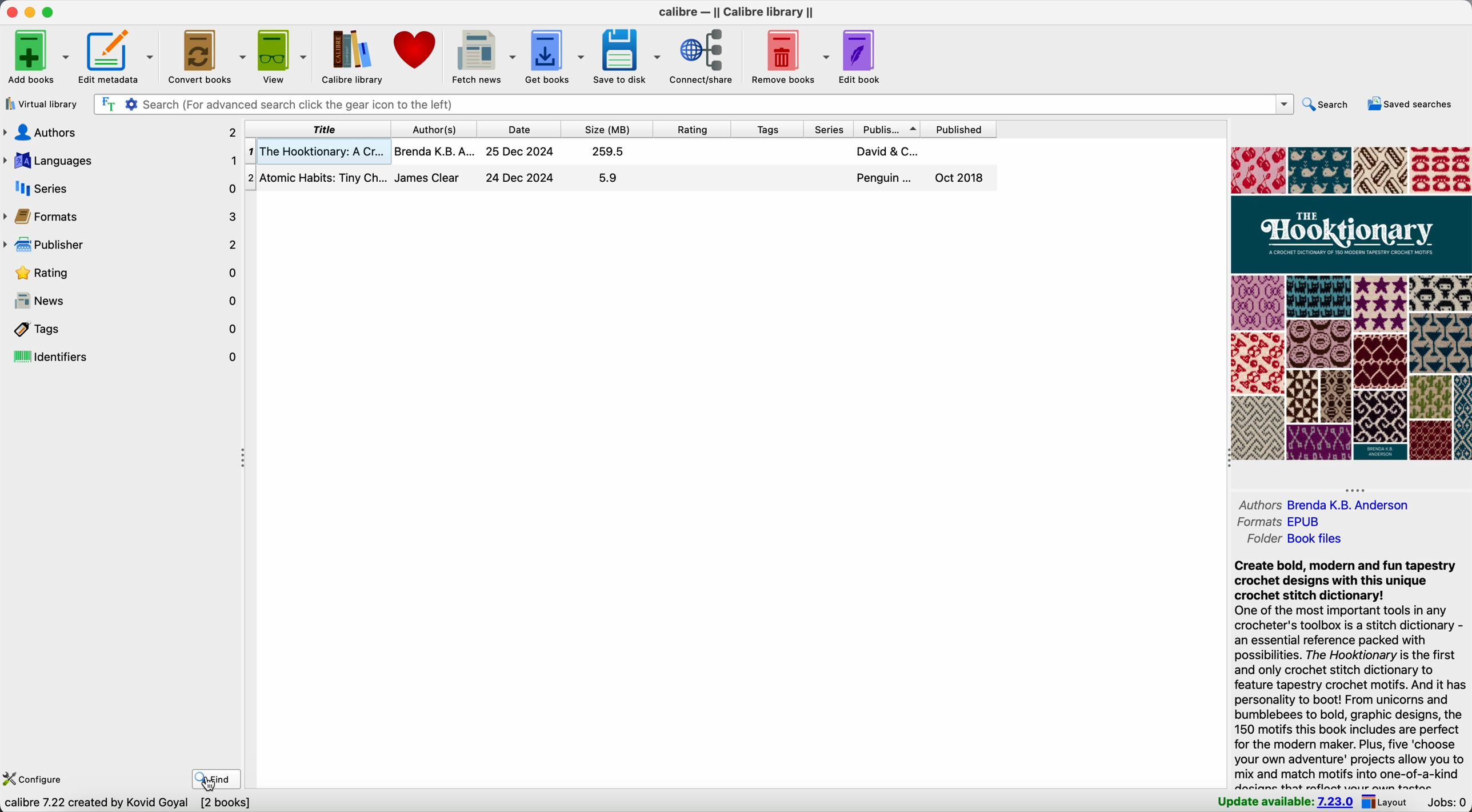 Image resolution: width=1472 pixels, height=812 pixels. Describe the element at coordinates (627, 56) in the screenshot. I see `save to disk` at that location.